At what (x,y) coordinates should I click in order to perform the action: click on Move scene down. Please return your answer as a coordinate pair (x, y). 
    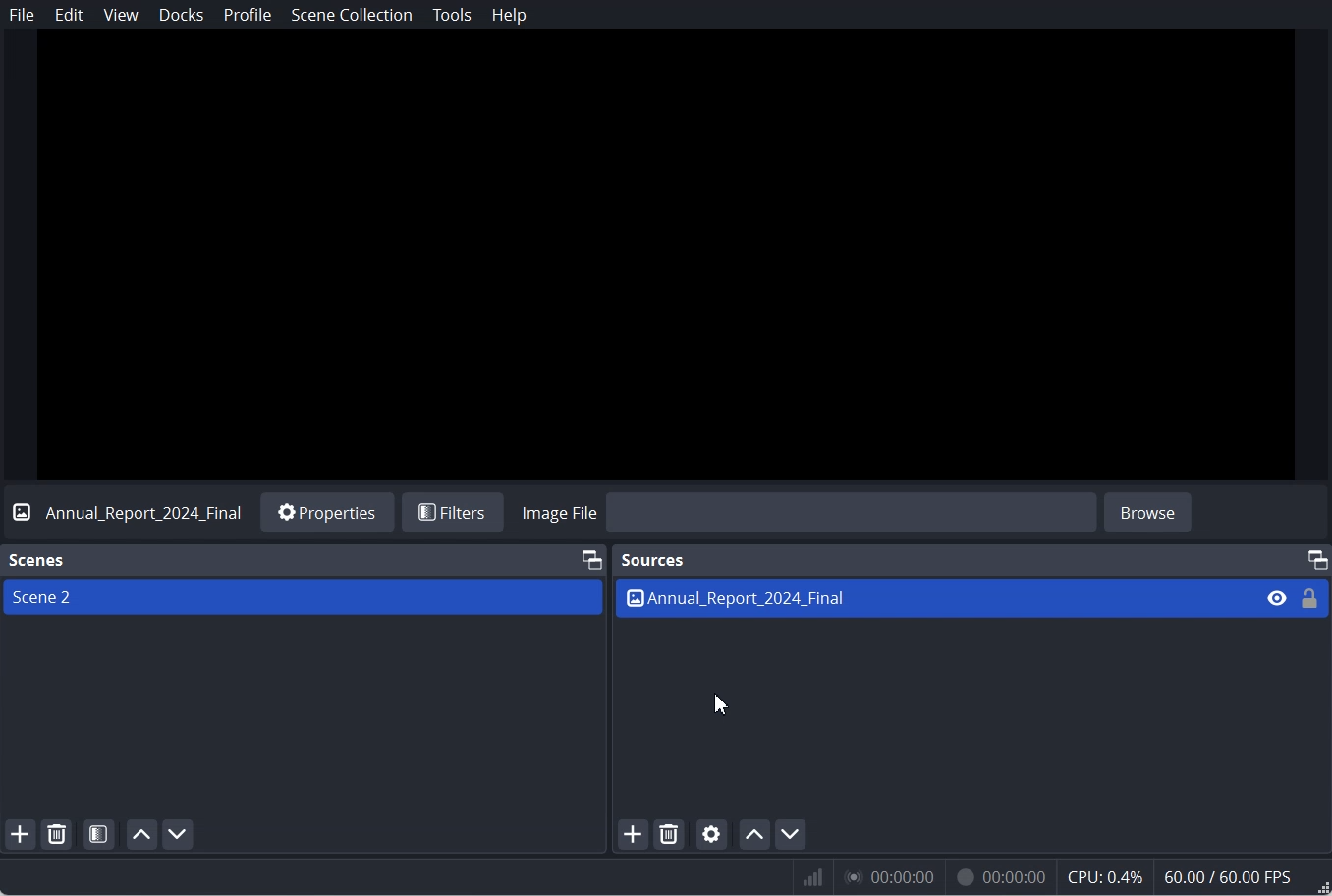
    Looking at the image, I should click on (178, 834).